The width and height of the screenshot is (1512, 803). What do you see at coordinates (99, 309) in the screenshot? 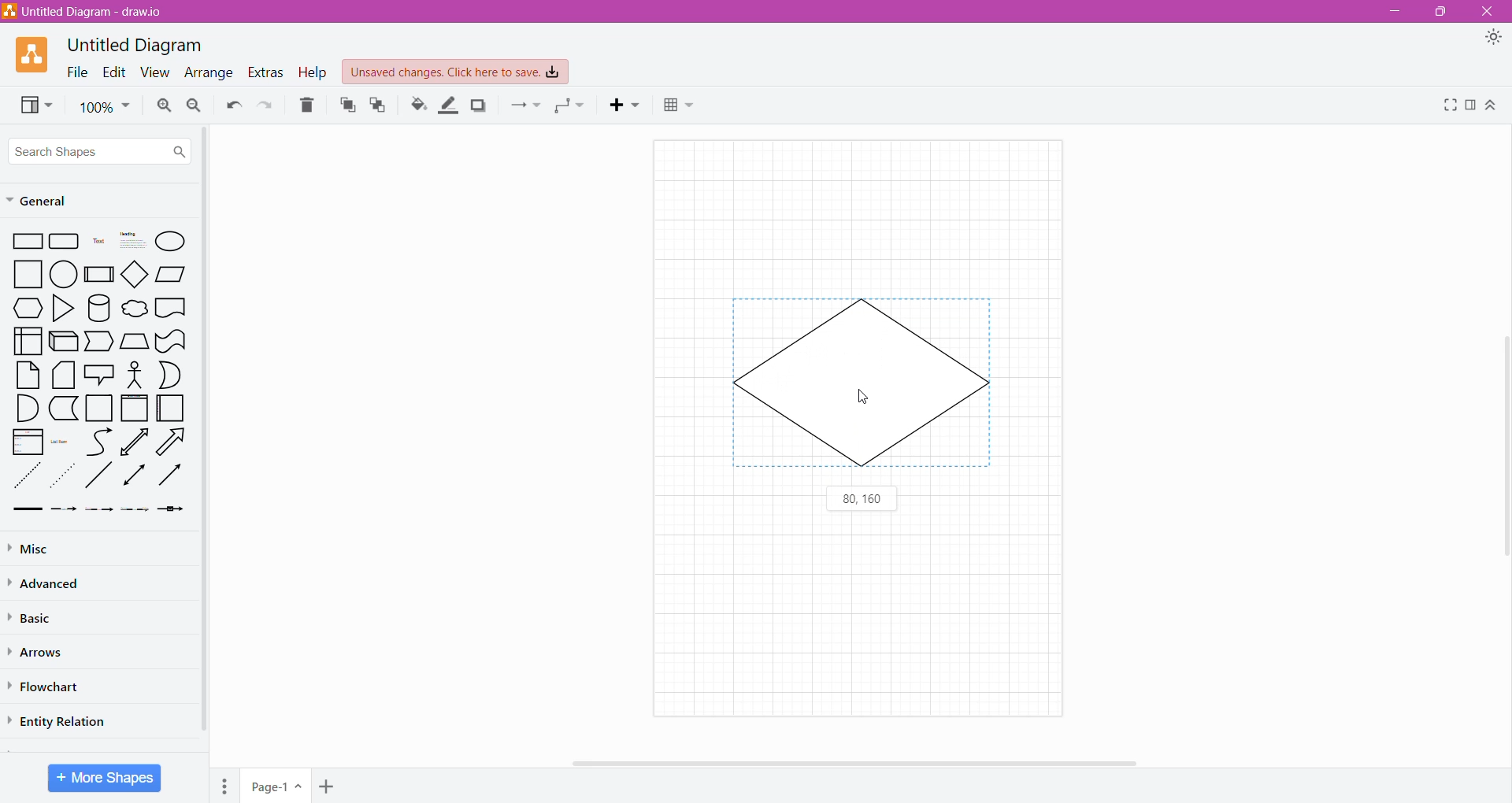
I see `Cylinder` at bounding box center [99, 309].